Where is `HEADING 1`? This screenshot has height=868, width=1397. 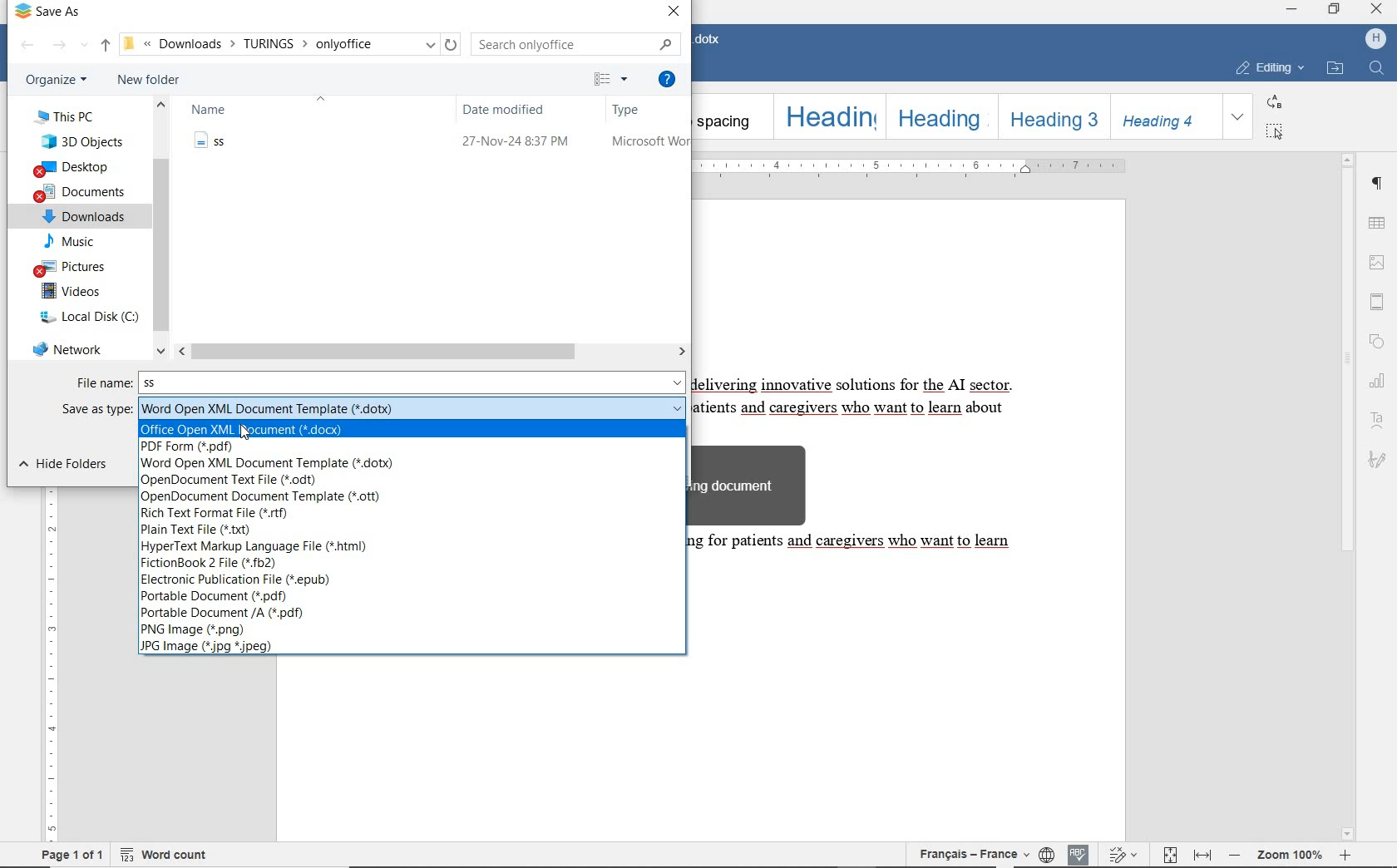
HEADING 1 is located at coordinates (828, 116).